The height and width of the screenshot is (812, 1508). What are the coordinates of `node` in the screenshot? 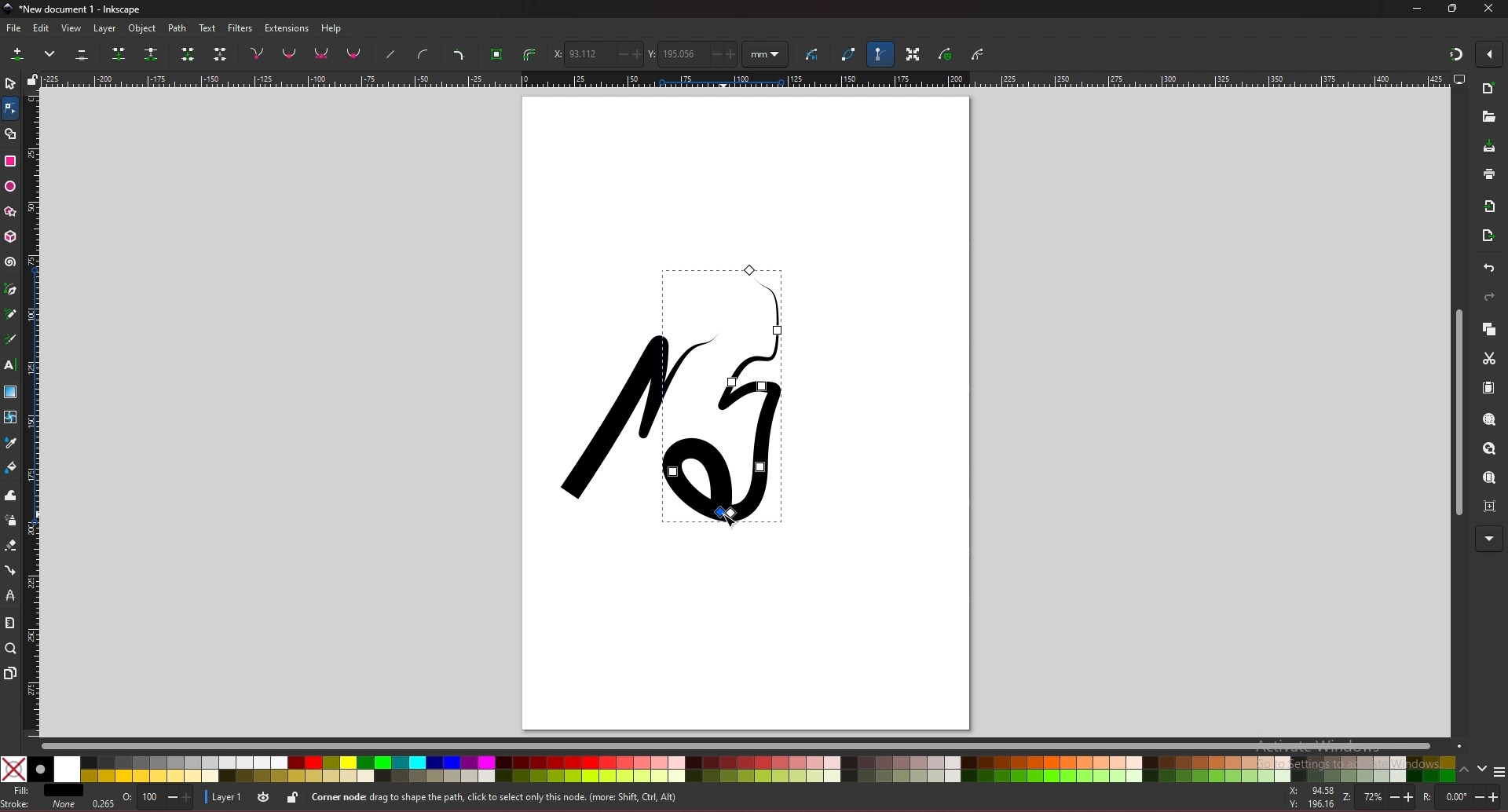 It's located at (9, 108).